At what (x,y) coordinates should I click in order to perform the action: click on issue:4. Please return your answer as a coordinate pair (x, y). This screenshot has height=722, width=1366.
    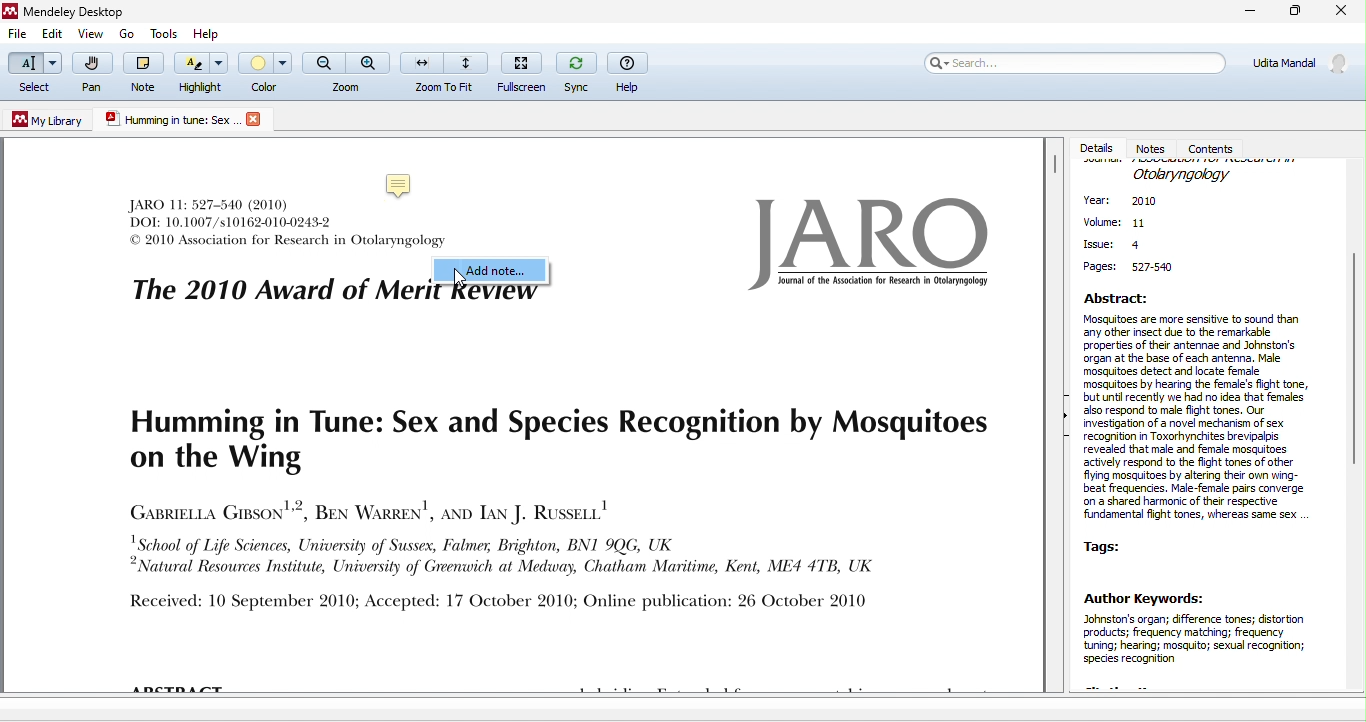
    Looking at the image, I should click on (1113, 243).